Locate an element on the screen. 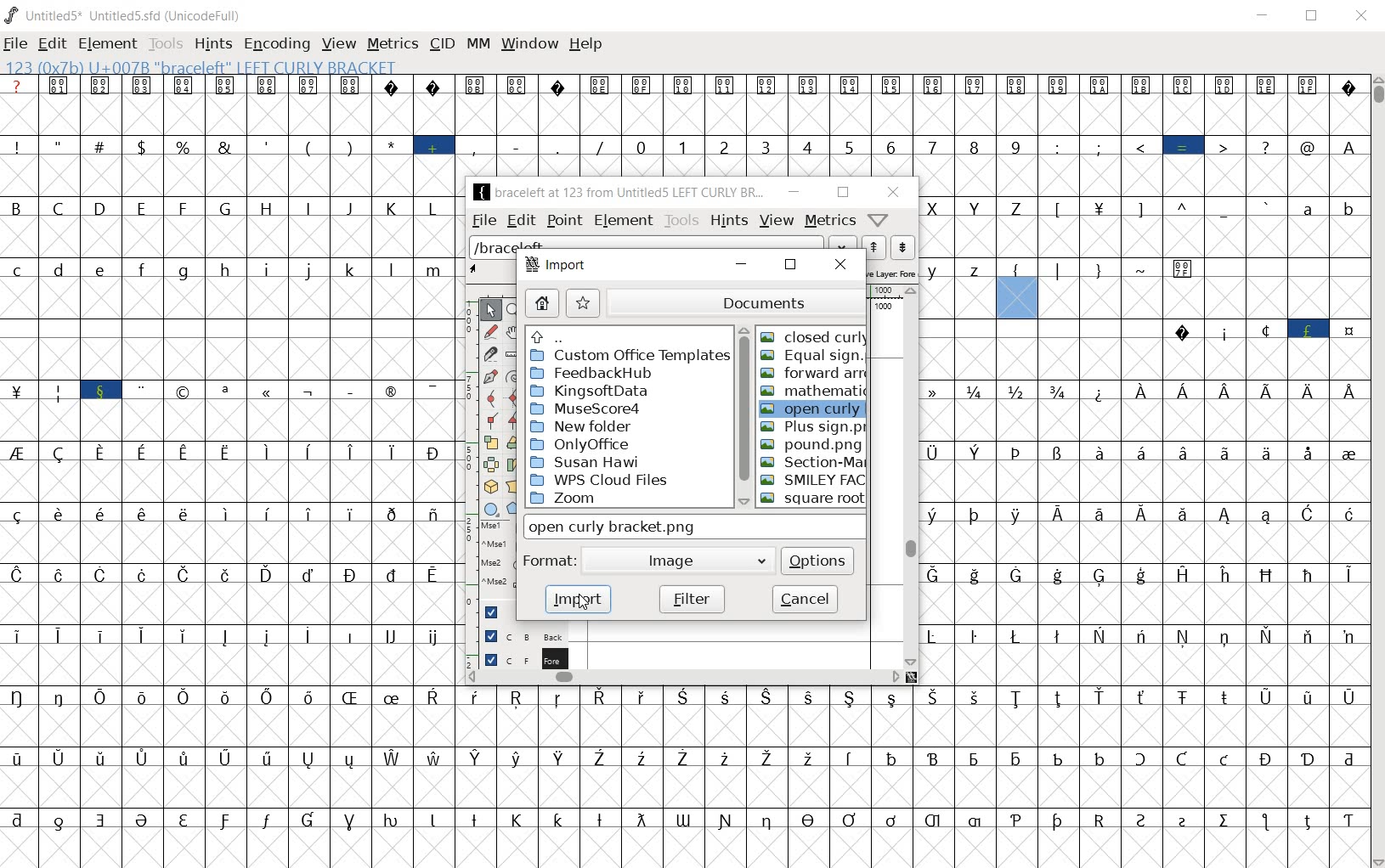 This screenshot has width=1385, height=868. add a curve point is located at coordinates (492, 398).